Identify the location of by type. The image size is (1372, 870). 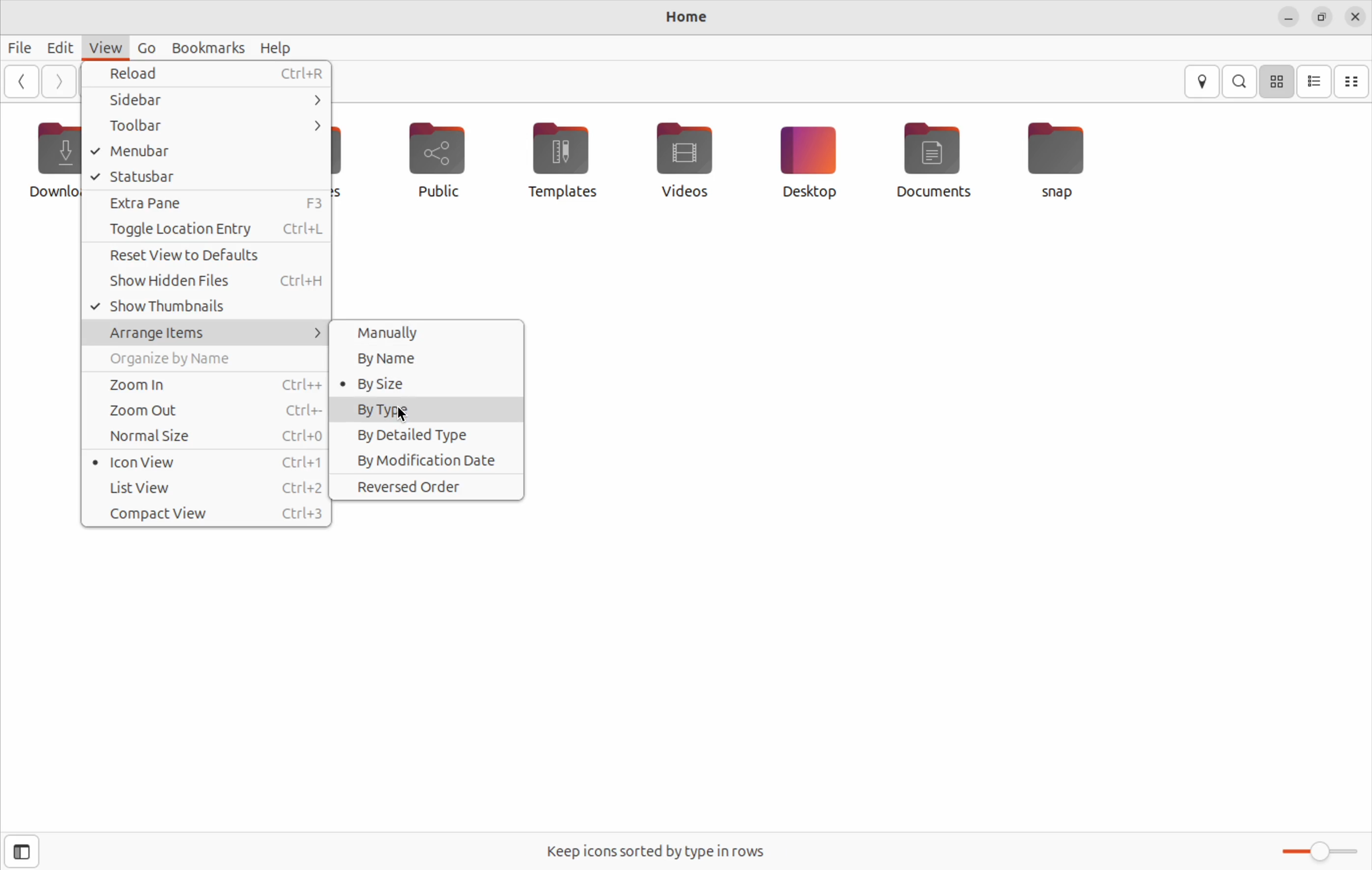
(429, 410).